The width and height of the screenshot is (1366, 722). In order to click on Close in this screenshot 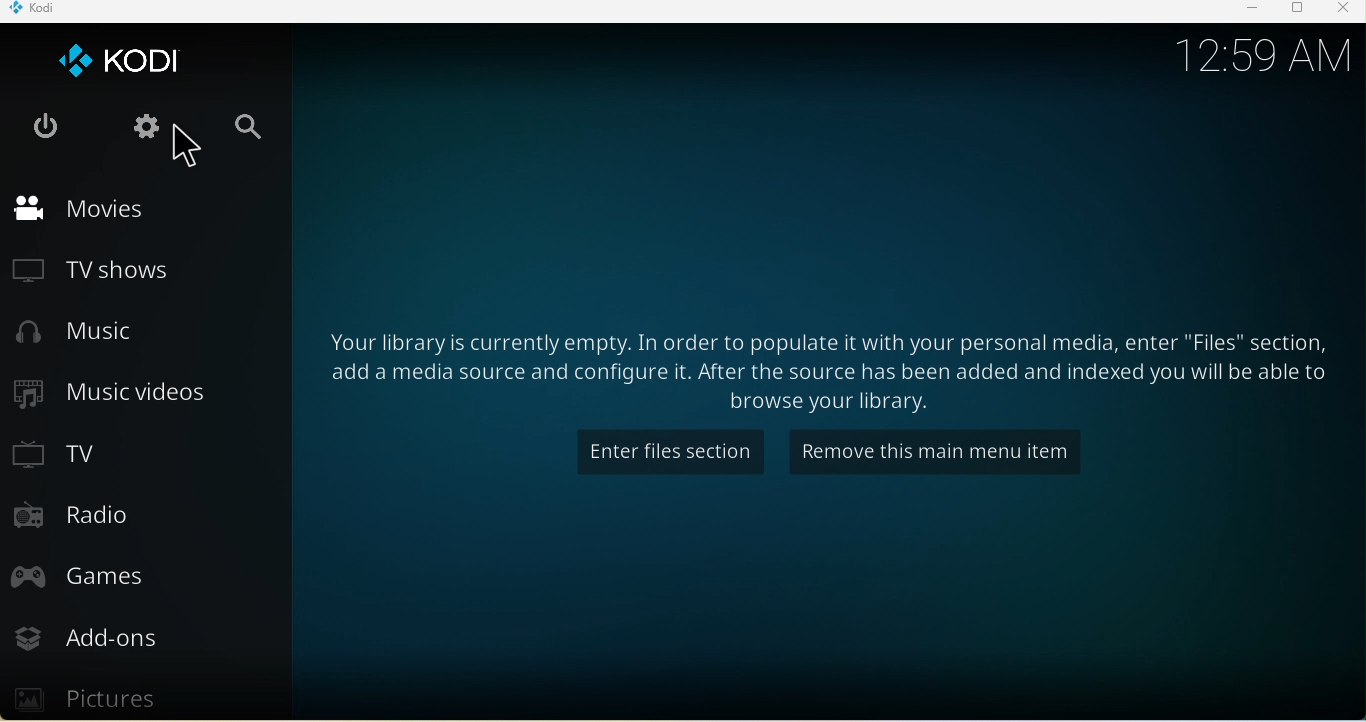, I will do `click(1341, 10)`.